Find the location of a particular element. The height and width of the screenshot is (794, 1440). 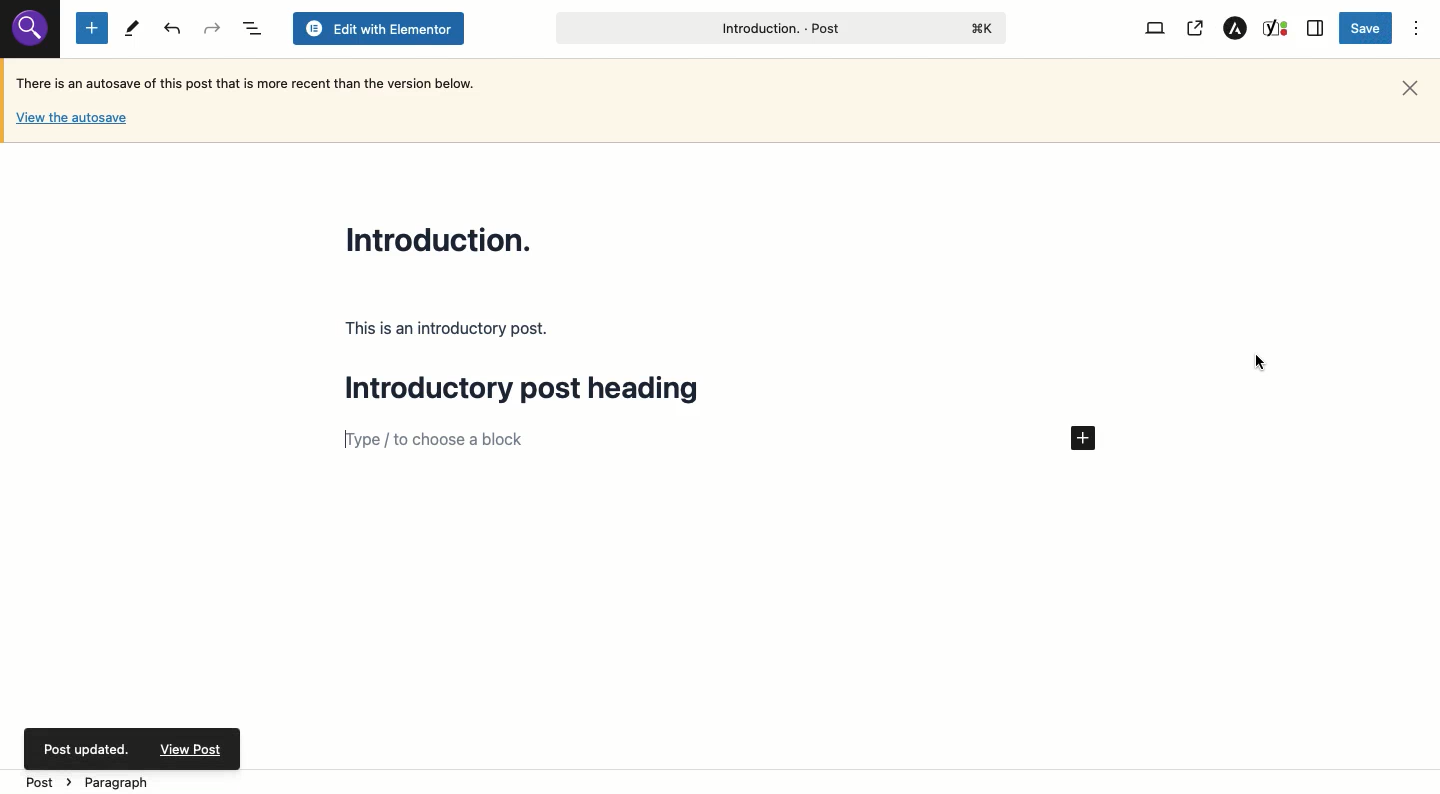

Autosave text is located at coordinates (252, 82).